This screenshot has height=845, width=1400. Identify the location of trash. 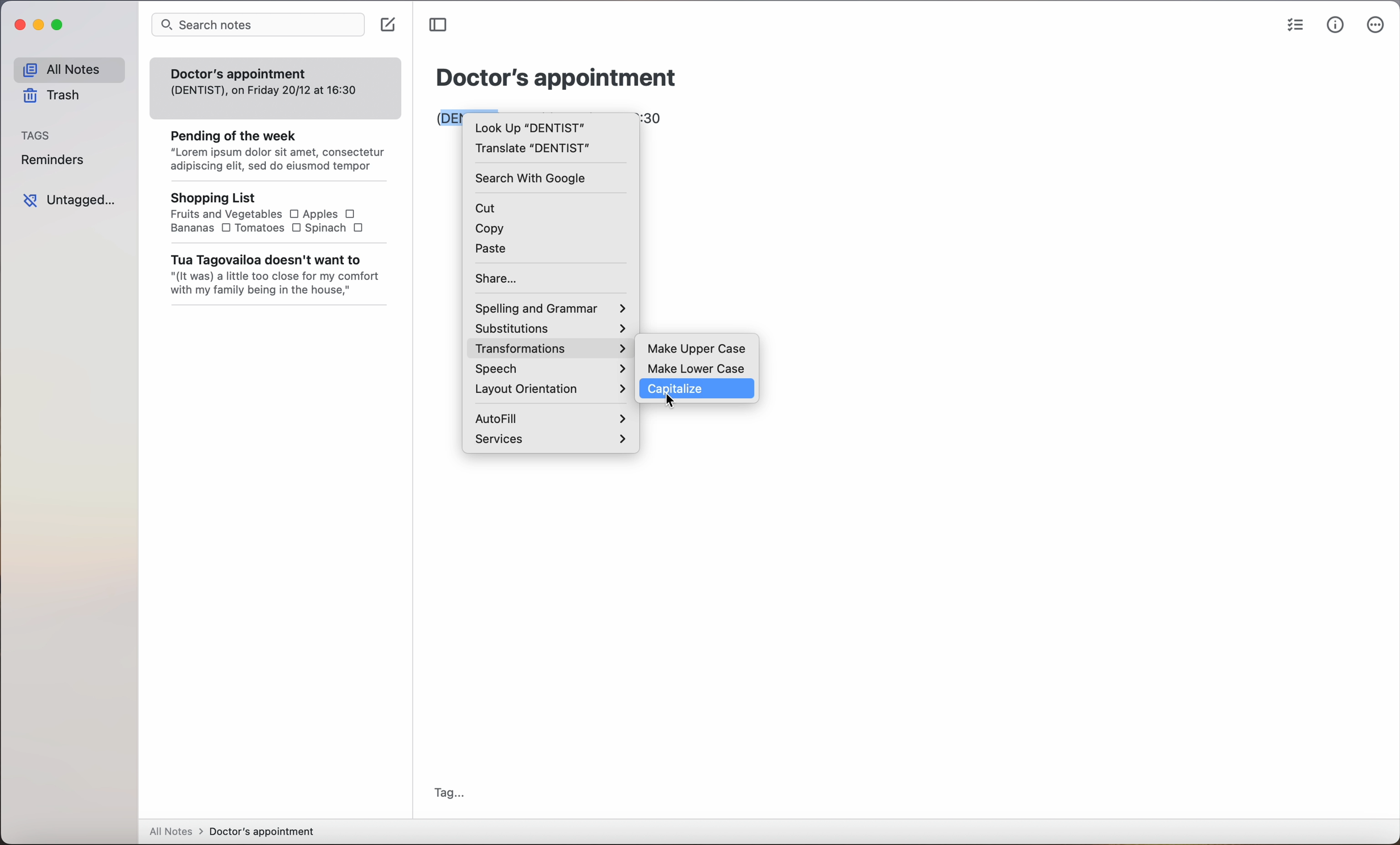
(52, 97).